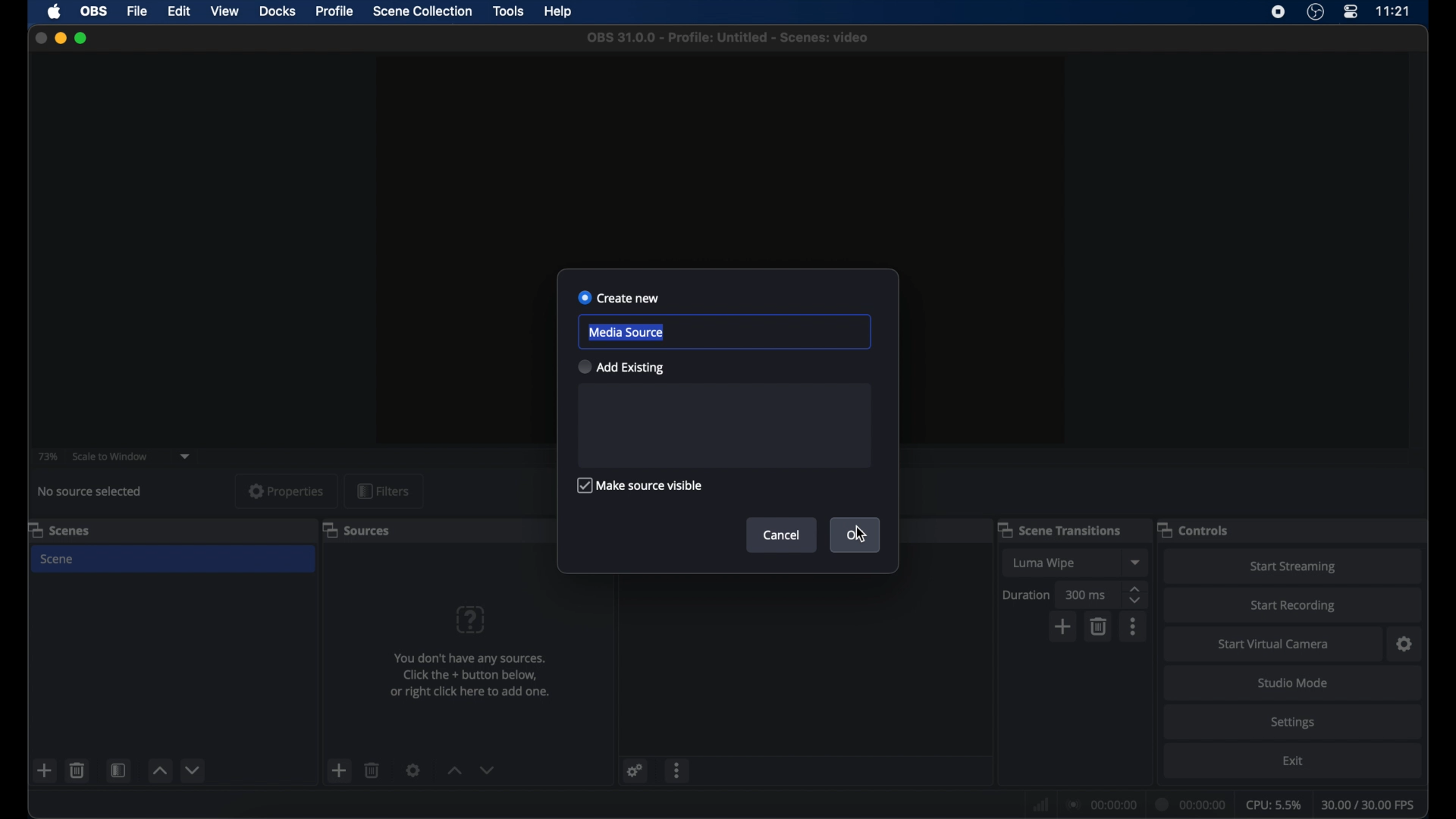 The image size is (1456, 819). I want to click on cpu, so click(1274, 805).